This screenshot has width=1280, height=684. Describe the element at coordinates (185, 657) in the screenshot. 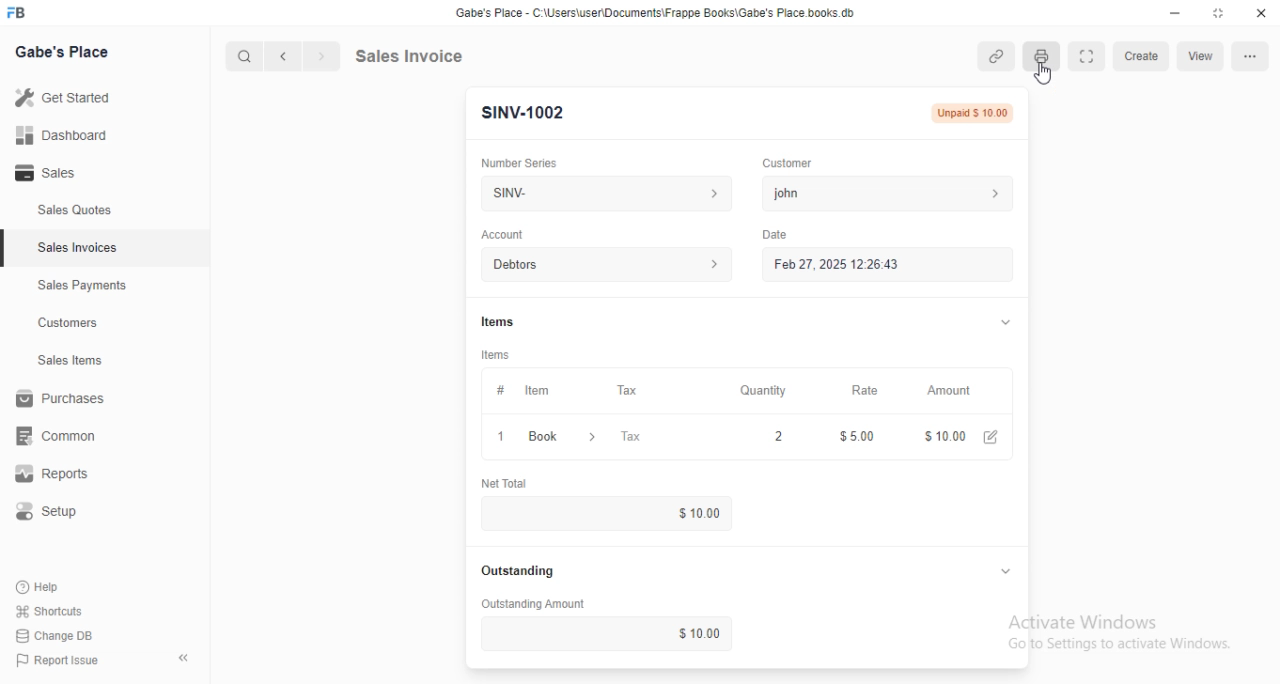

I see `toggle sidebar` at that location.